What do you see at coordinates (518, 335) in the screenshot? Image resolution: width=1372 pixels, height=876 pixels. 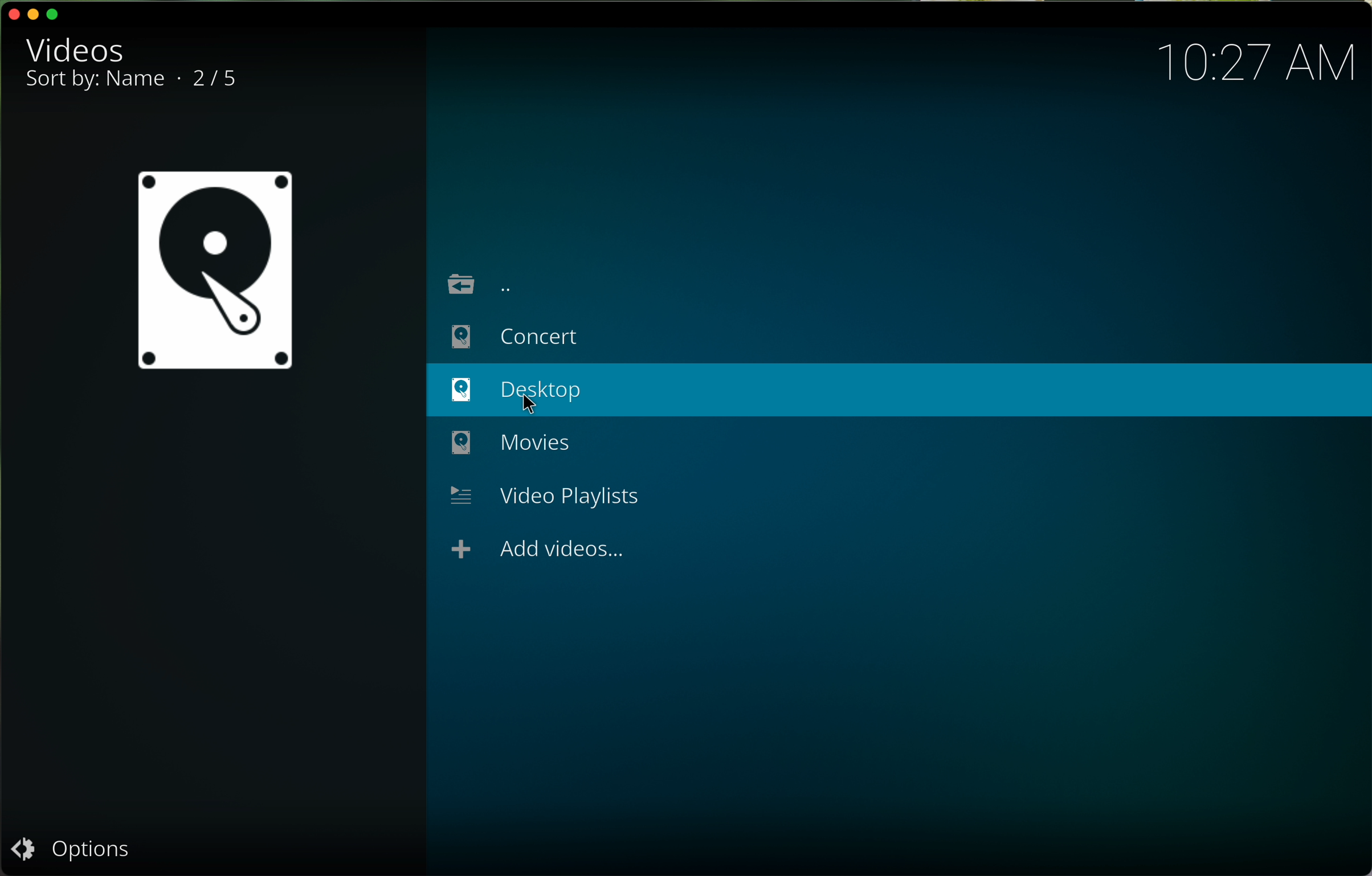 I see `concert file` at bounding box center [518, 335].